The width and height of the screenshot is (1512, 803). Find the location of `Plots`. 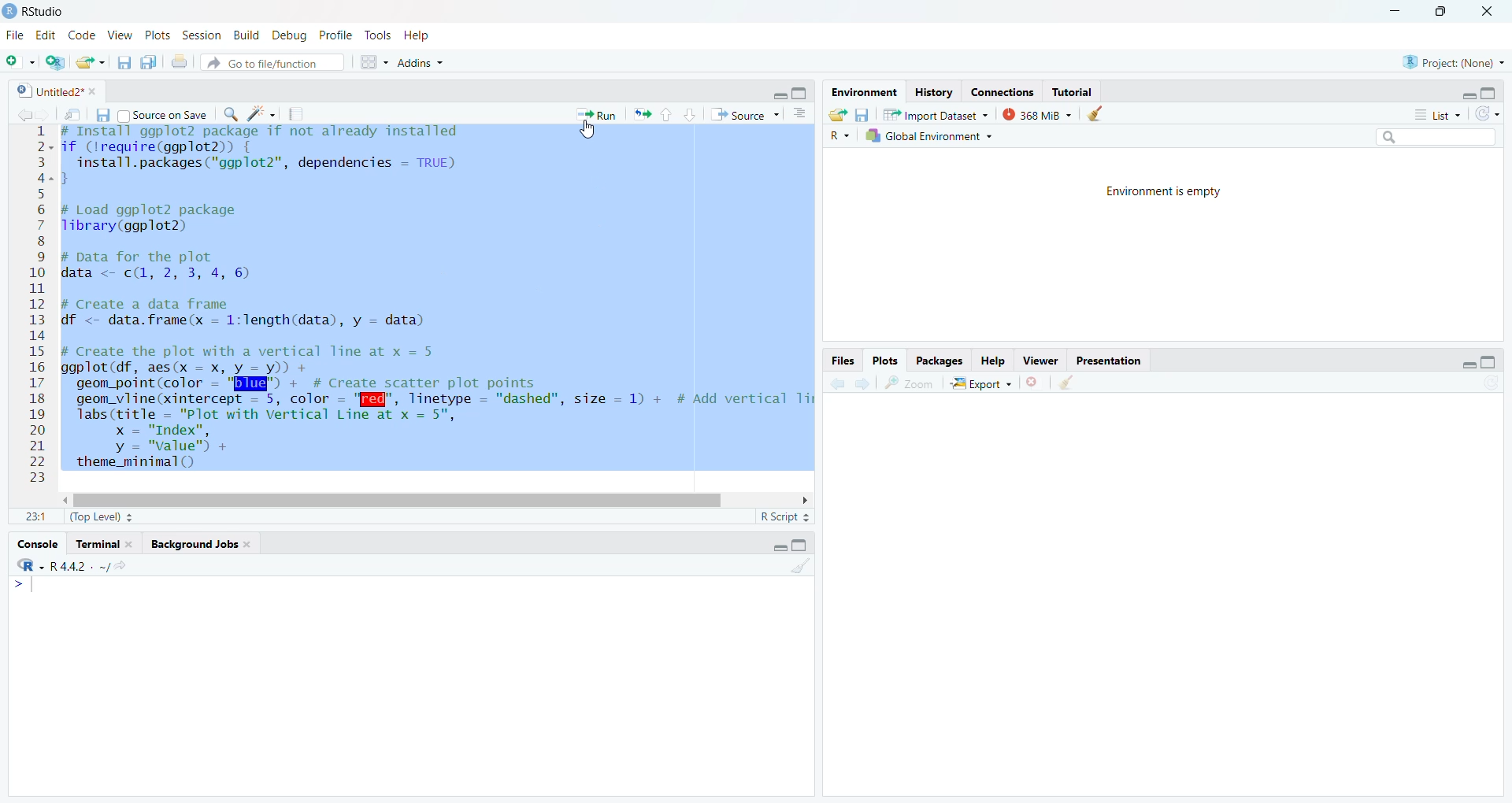

Plots is located at coordinates (885, 361).